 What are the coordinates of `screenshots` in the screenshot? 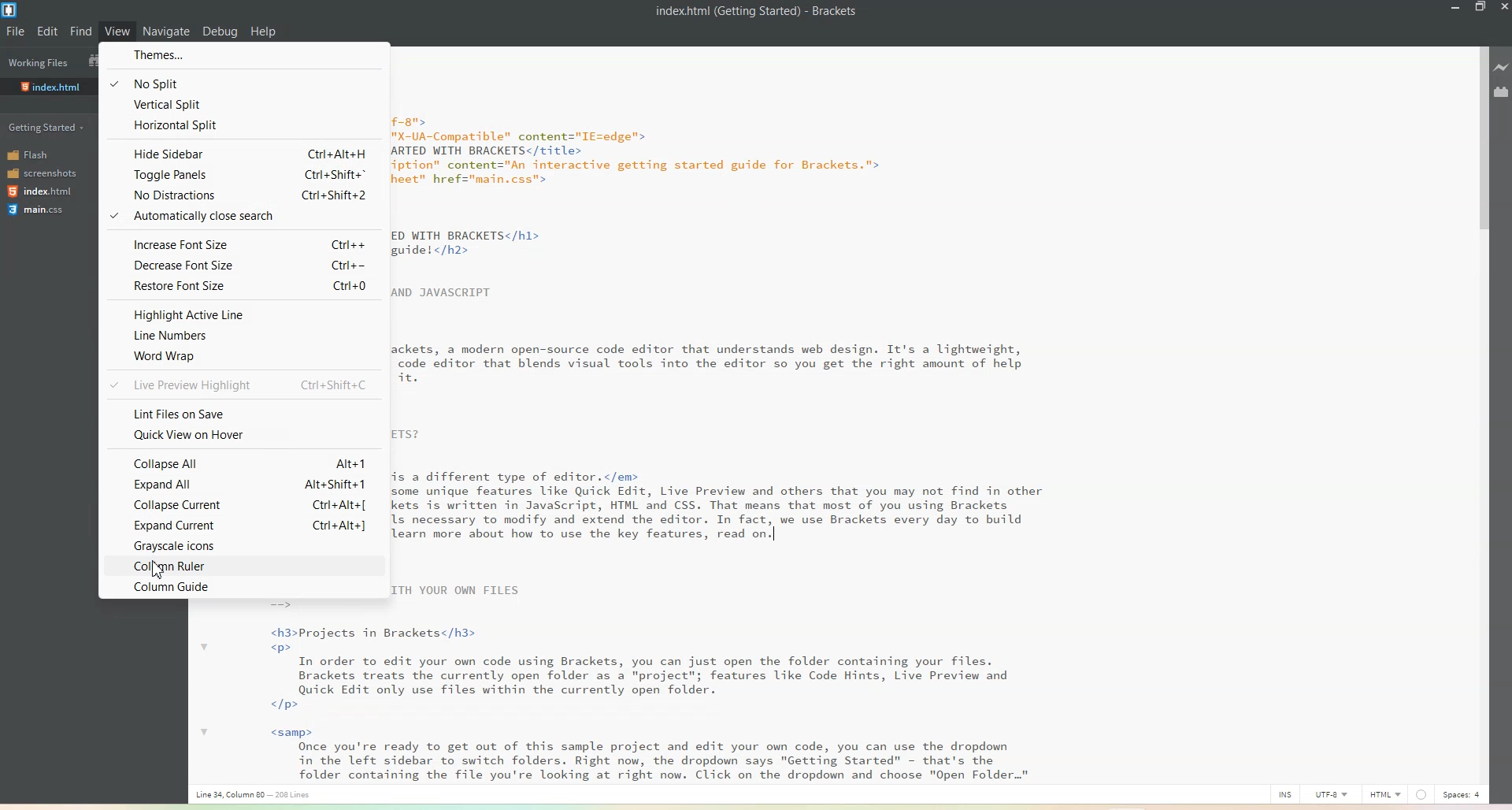 It's located at (42, 173).